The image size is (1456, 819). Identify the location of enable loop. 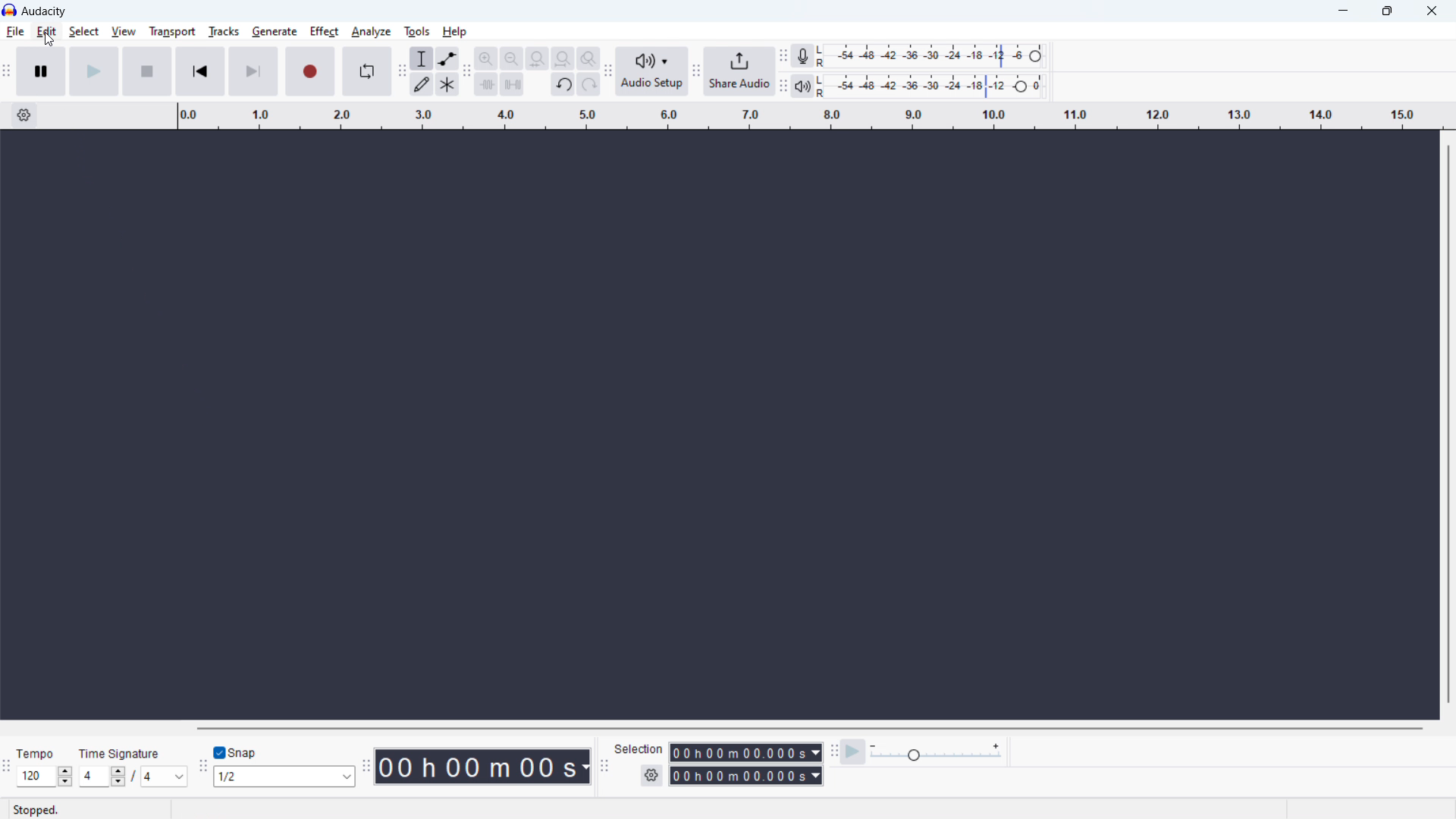
(368, 71).